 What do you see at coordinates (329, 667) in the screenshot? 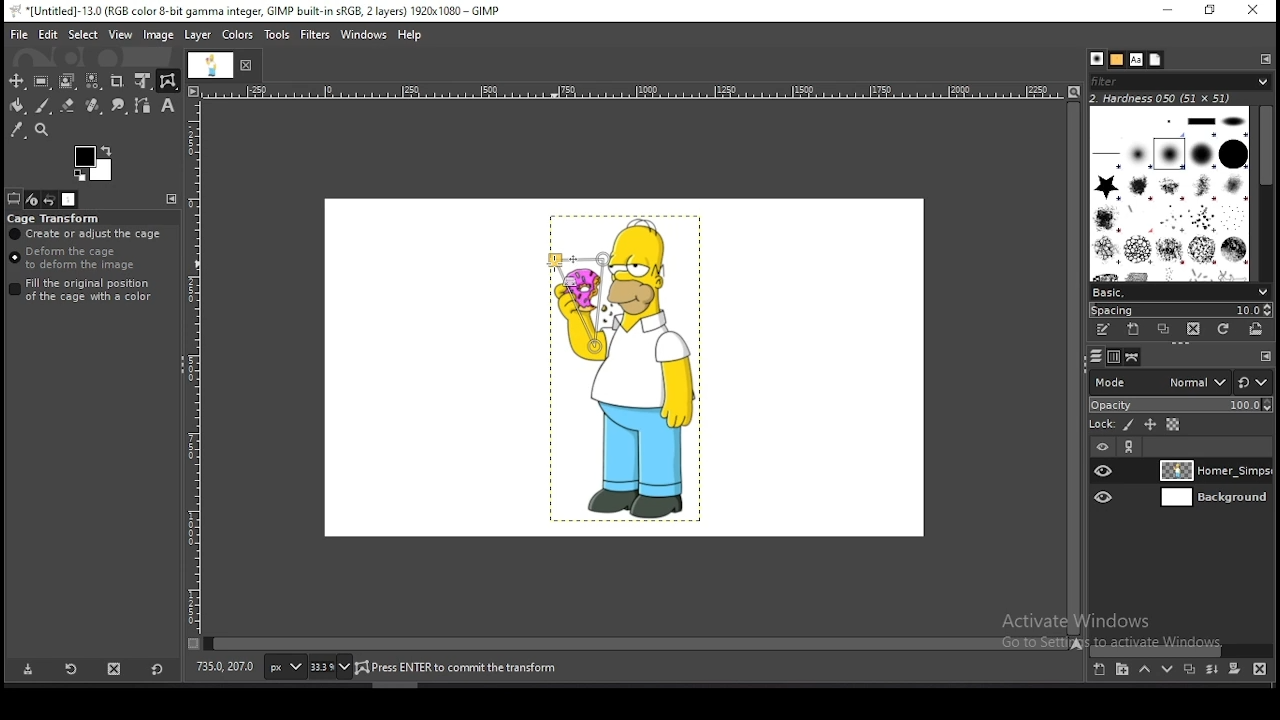
I see `zoom status` at bounding box center [329, 667].